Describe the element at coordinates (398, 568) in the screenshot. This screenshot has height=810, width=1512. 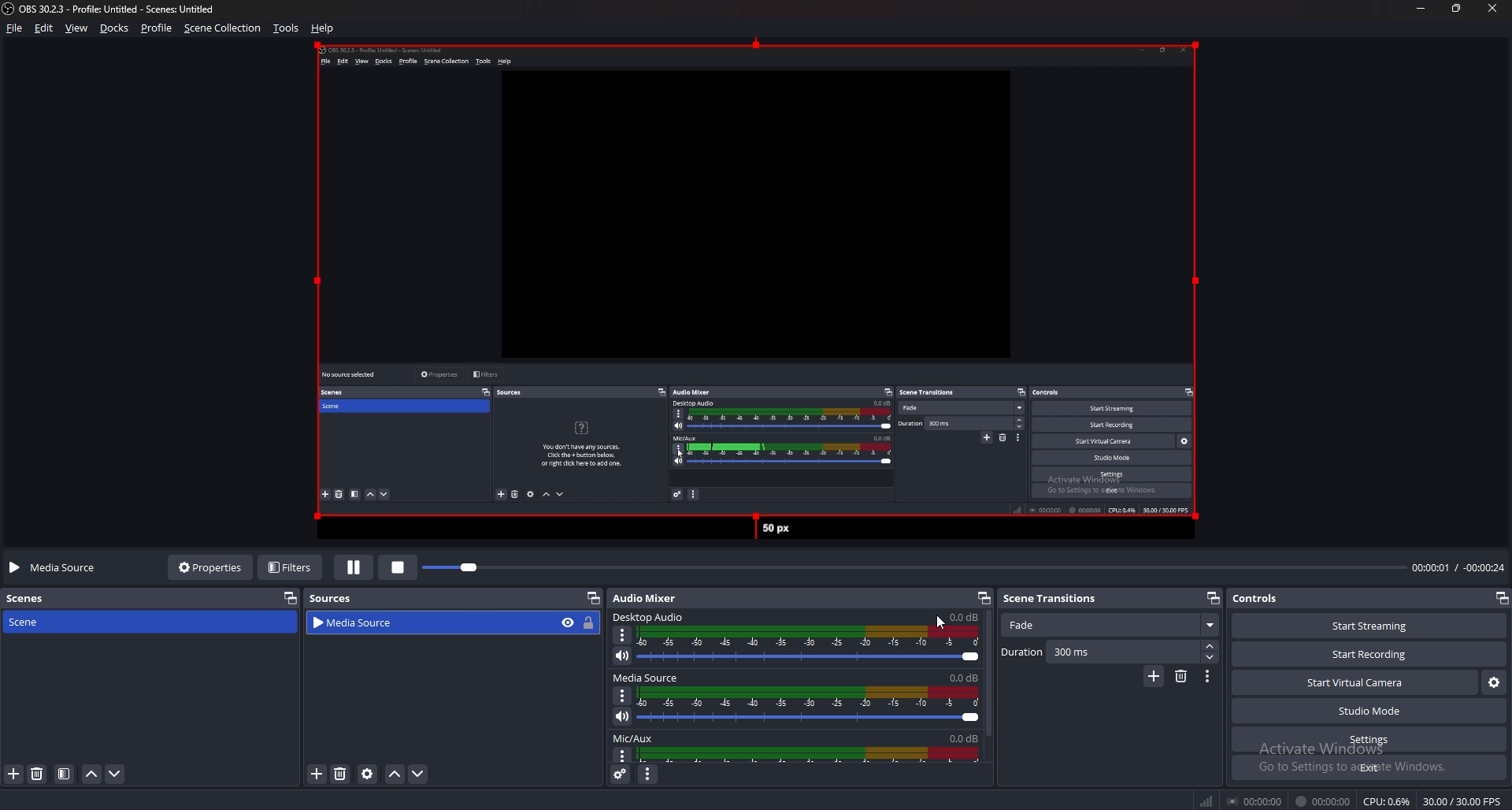
I see `stop` at that location.